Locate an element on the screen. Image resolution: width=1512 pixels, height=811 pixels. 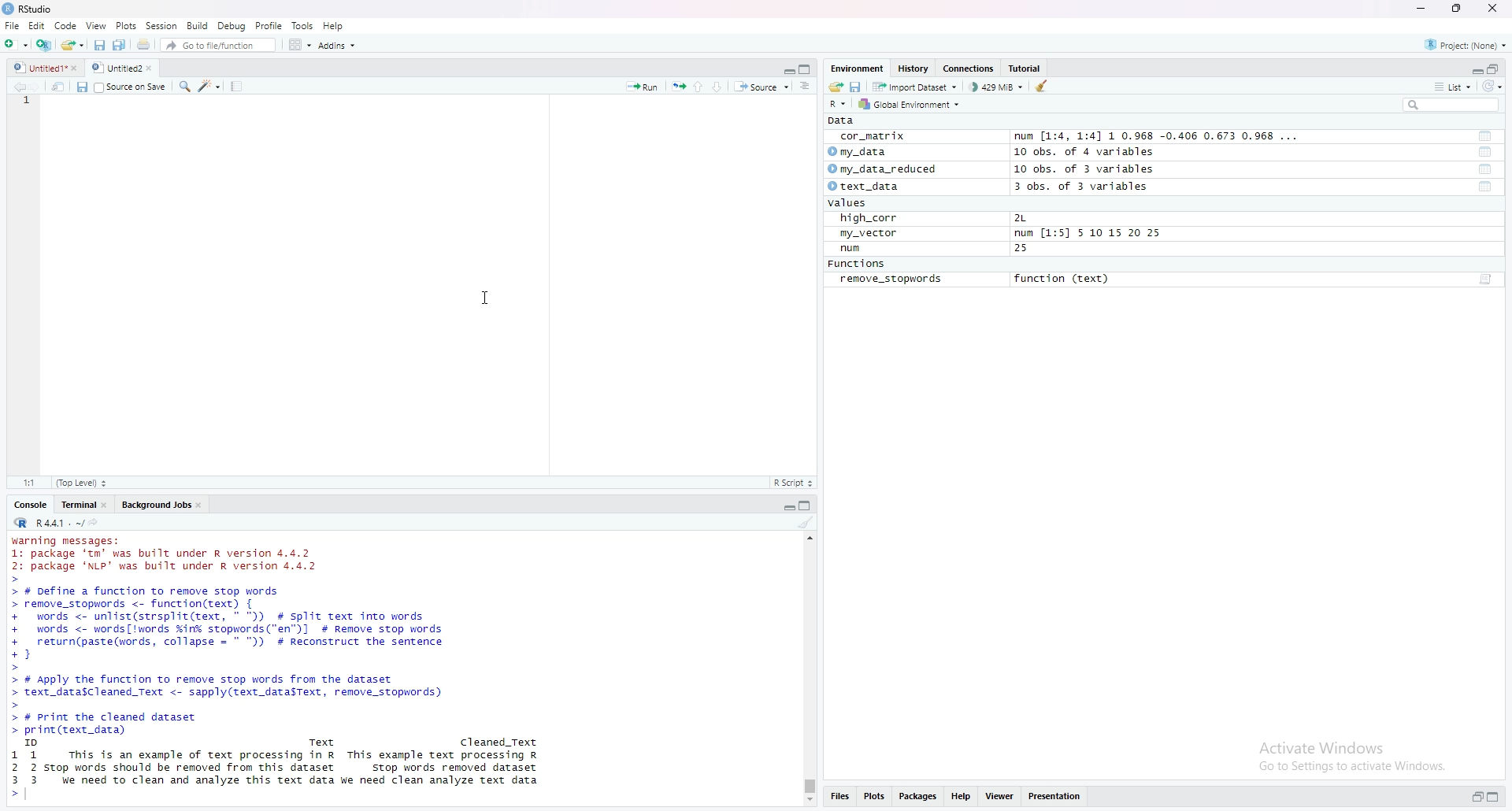
1 1 This is an example of text processing in R This example text processing R
2 2 stop words should be removed from this dataset Stop words removed dataset
3 3 we need to clean and analyze this text data We need clean analyze text data is located at coordinates (282, 775).